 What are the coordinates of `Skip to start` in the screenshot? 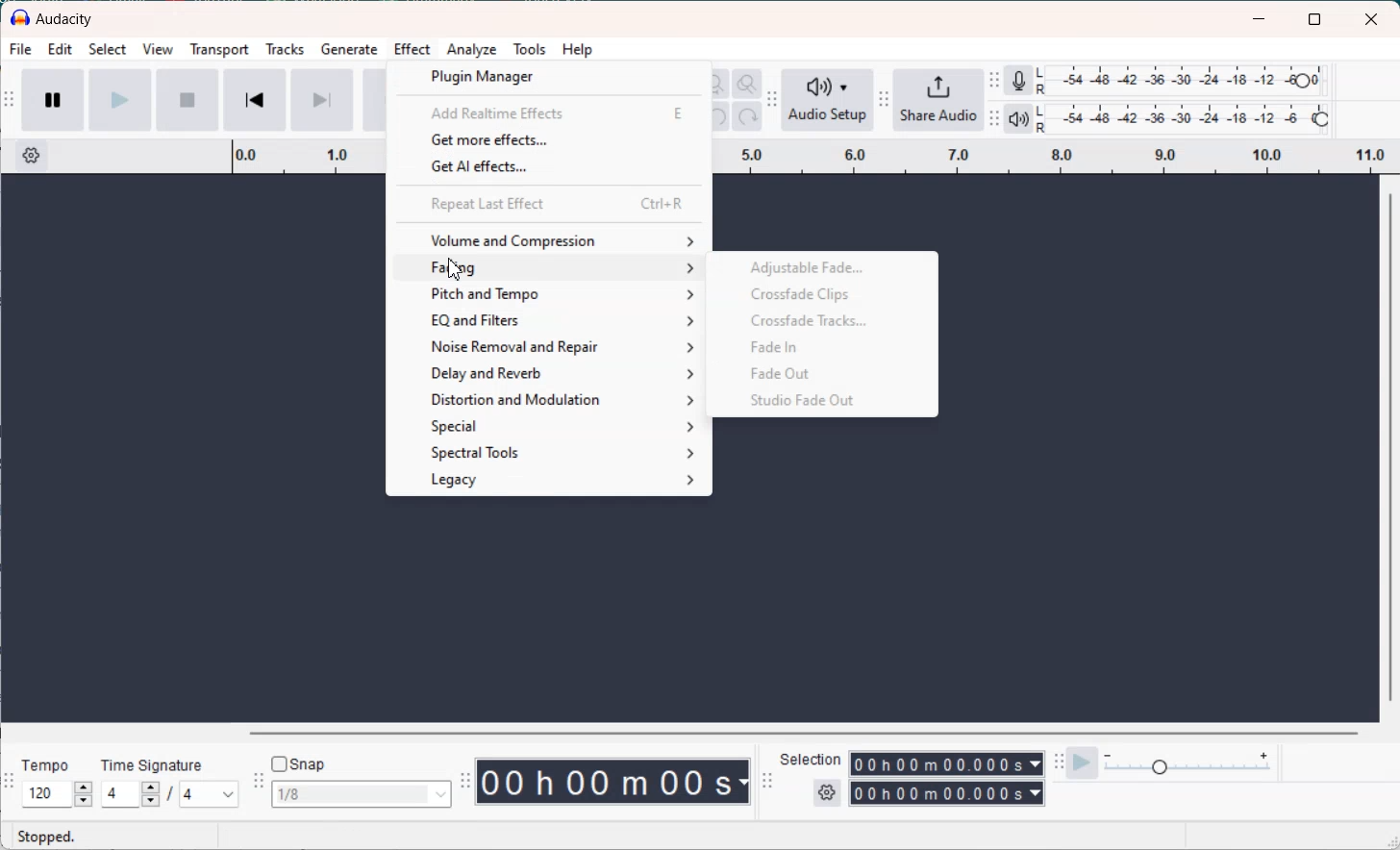 It's located at (254, 99).